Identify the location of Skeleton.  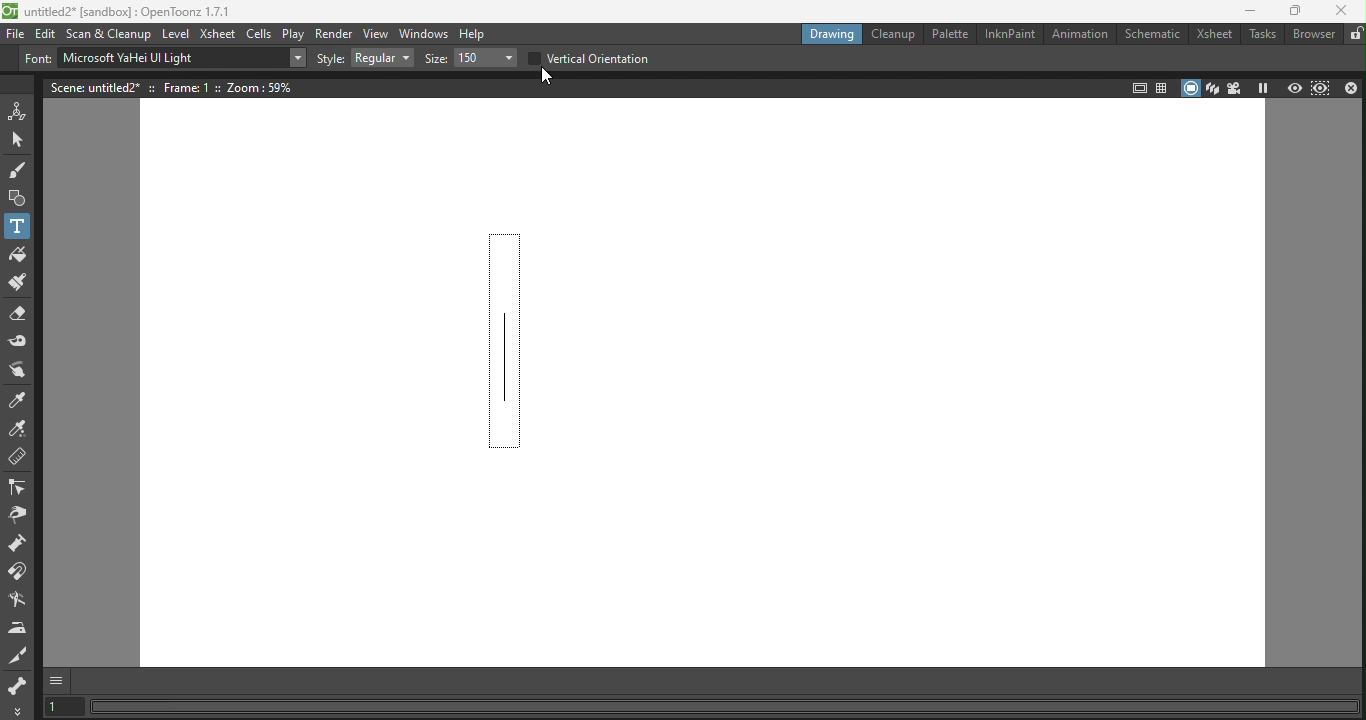
(16, 683).